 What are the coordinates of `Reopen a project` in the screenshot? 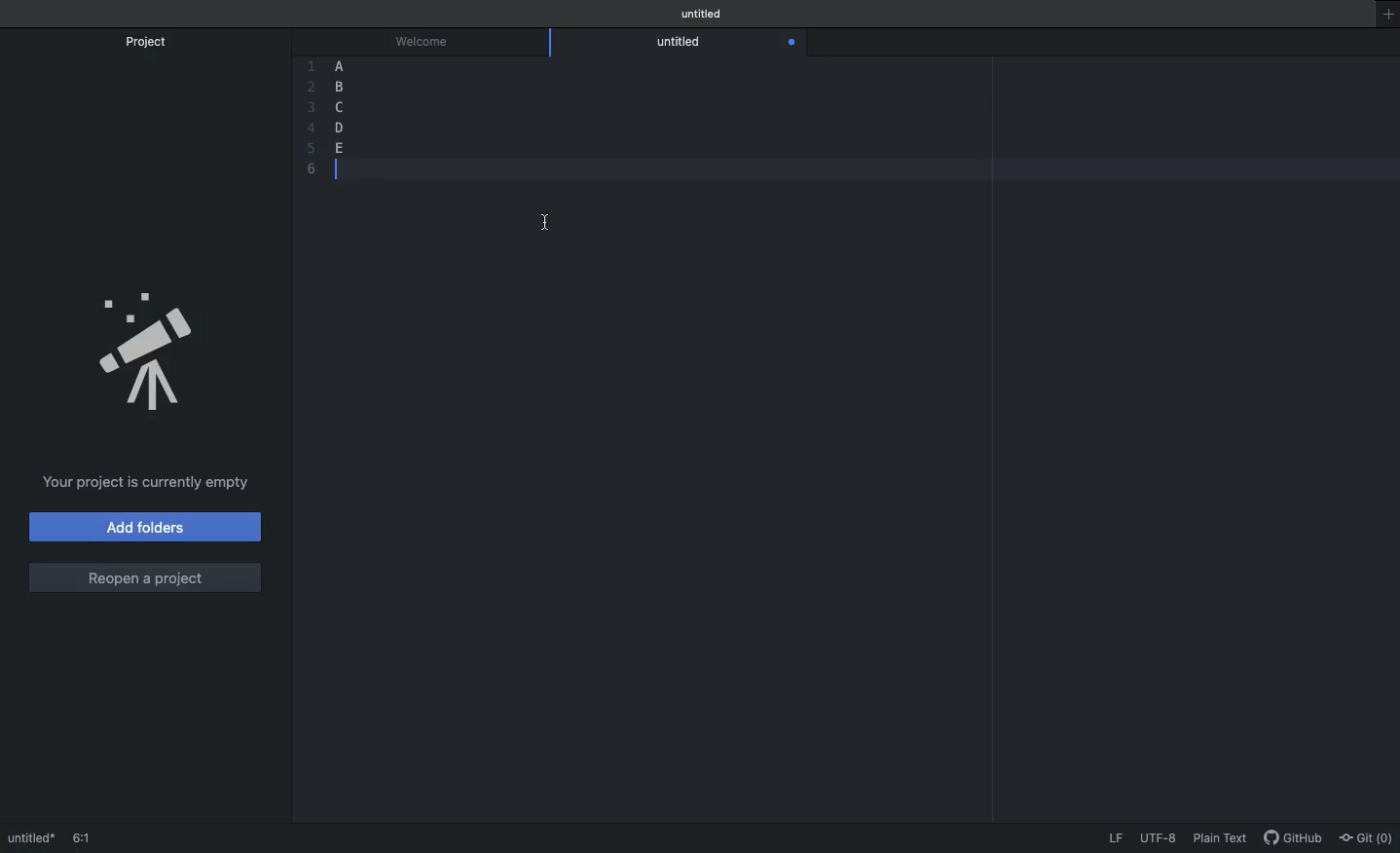 It's located at (141, 576).